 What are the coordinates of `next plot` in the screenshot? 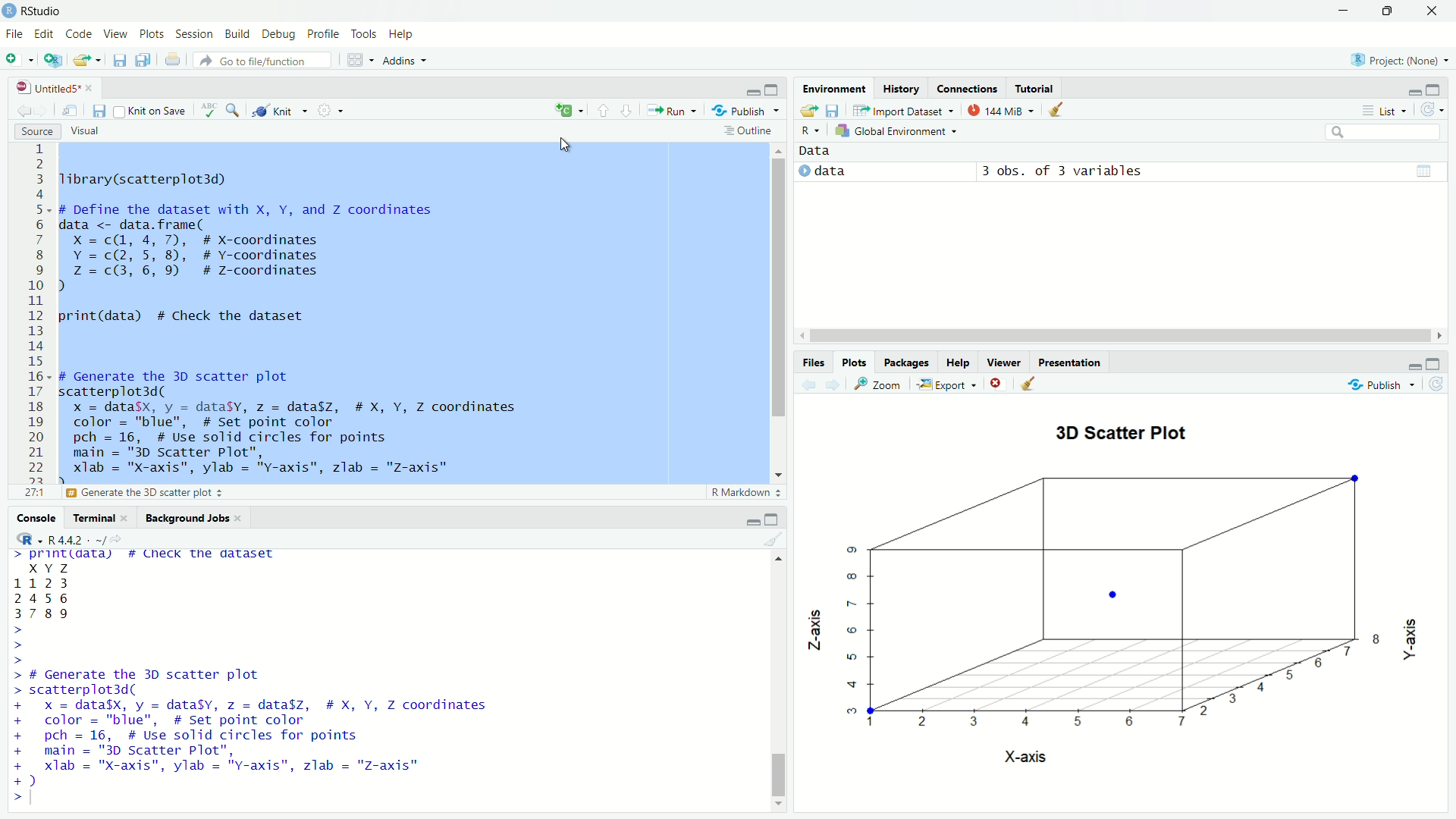 It's located at (832, 385).